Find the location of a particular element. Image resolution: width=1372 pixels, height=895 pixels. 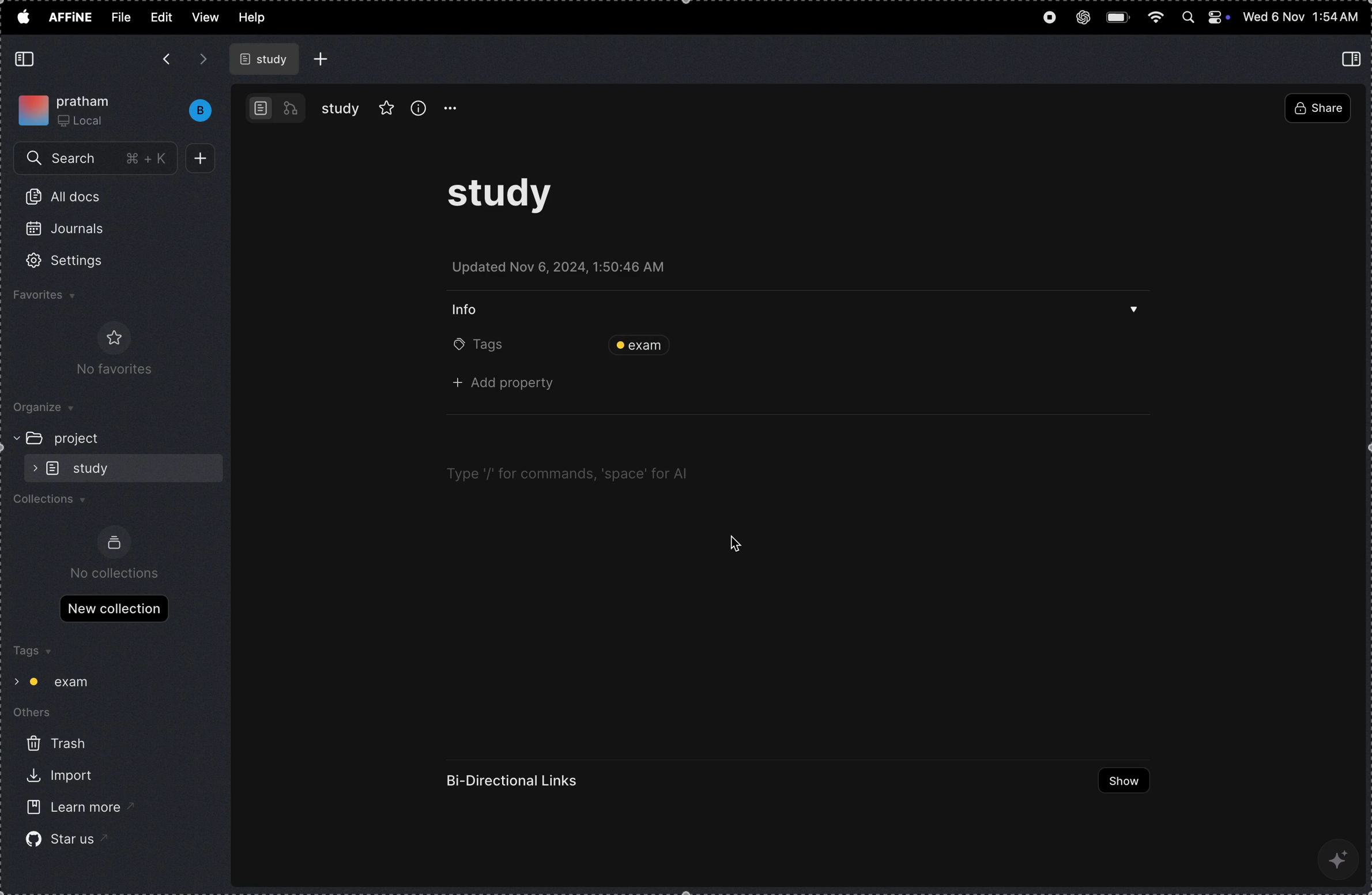

apple widgets is located at coordinates (1205, 18).